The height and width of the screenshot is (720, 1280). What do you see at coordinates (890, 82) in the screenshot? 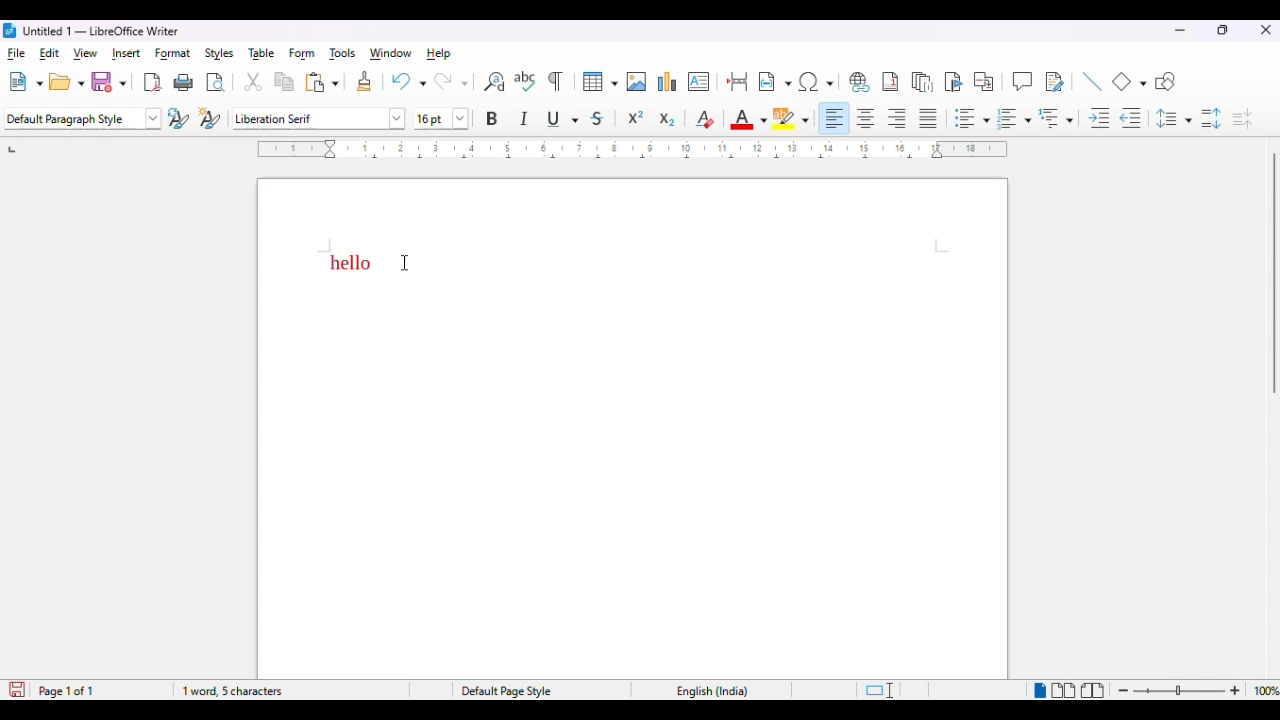
I see `insert footnote` at bounding box center [890, 82].